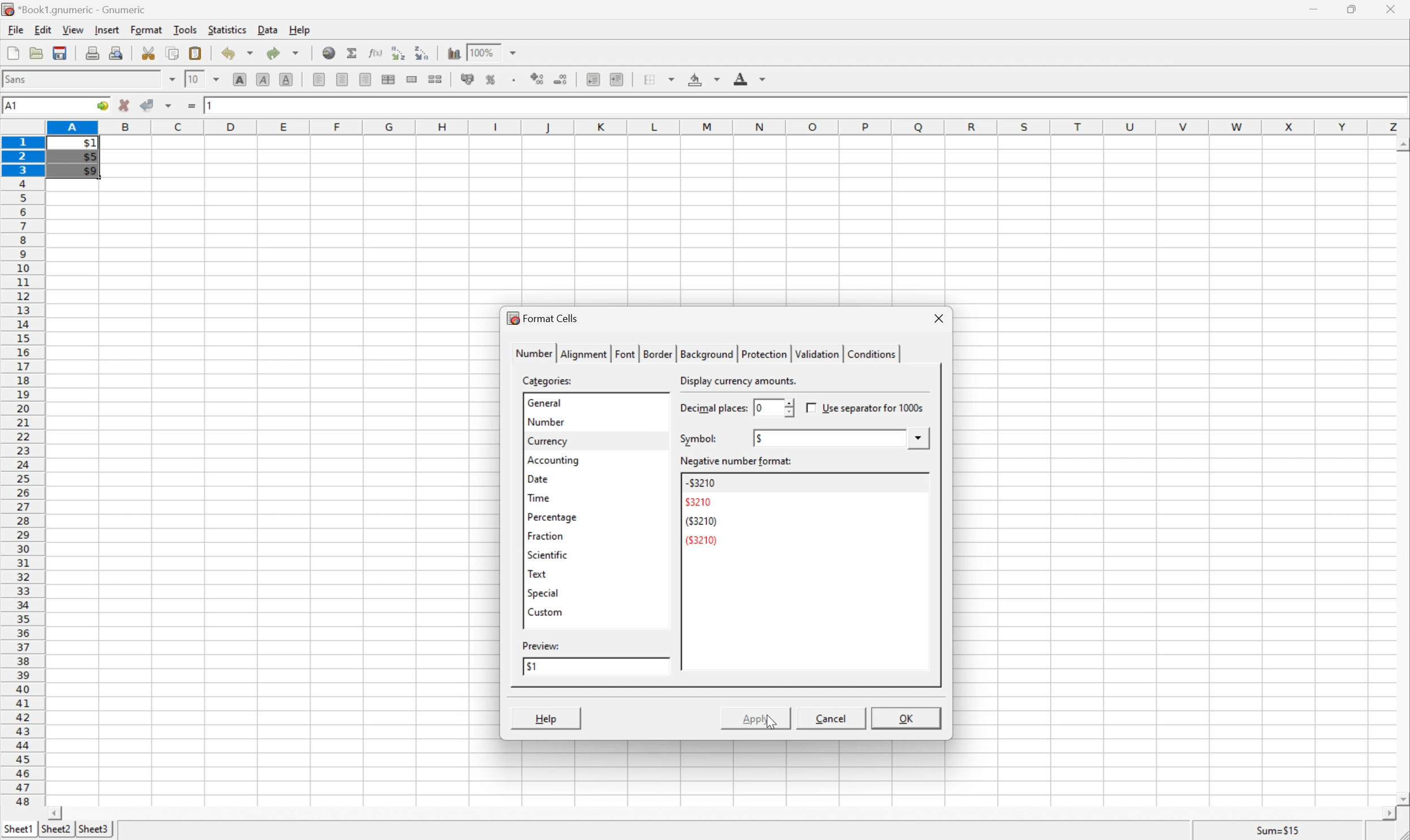 The image size is (1410, 840). What do you see at coordinates (283, 53) in the screenshot?
I see `redo` at bounding box center [283, 53].